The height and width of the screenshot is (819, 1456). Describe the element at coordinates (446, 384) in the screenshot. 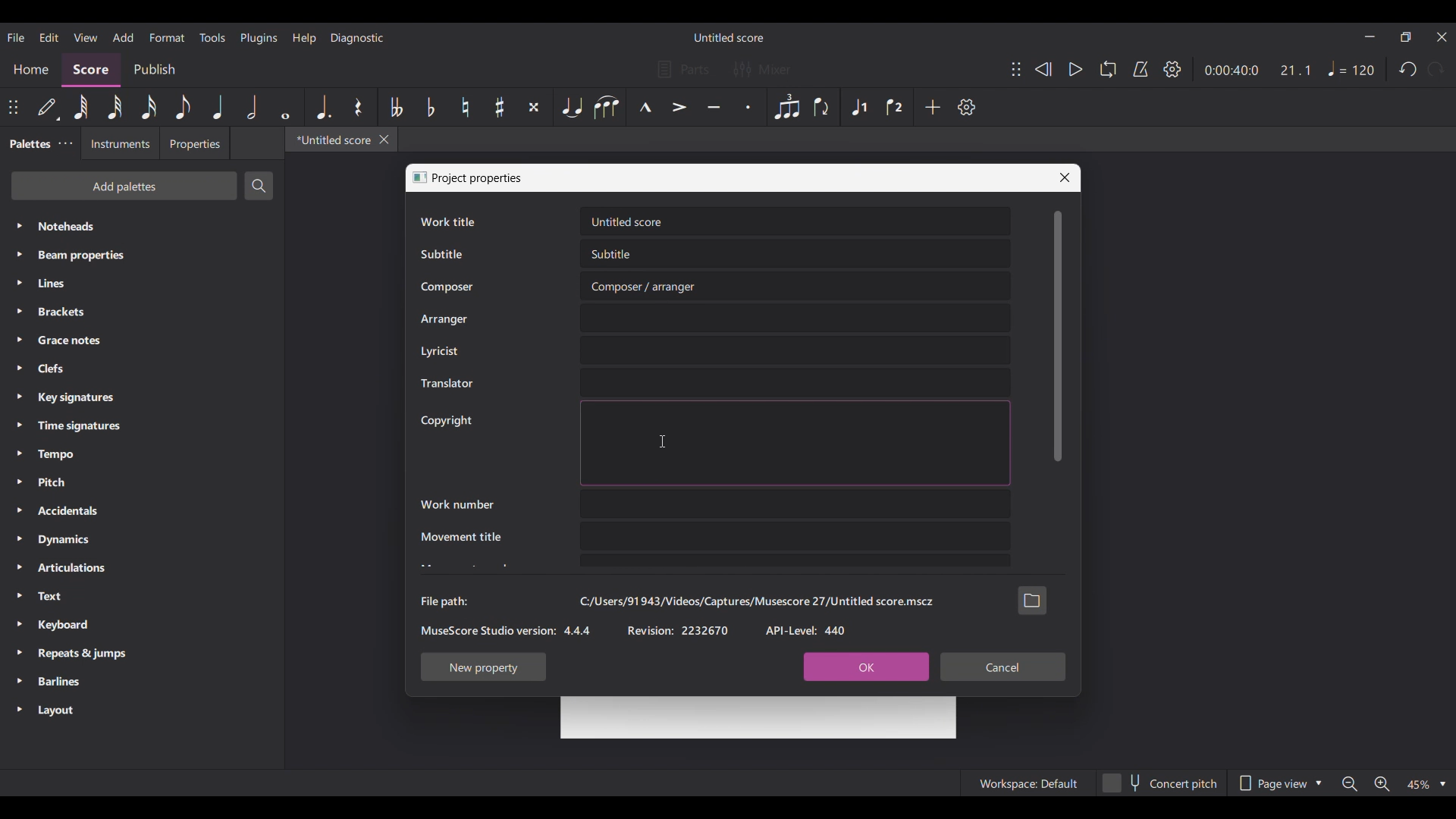

I see `Translator` at that location.